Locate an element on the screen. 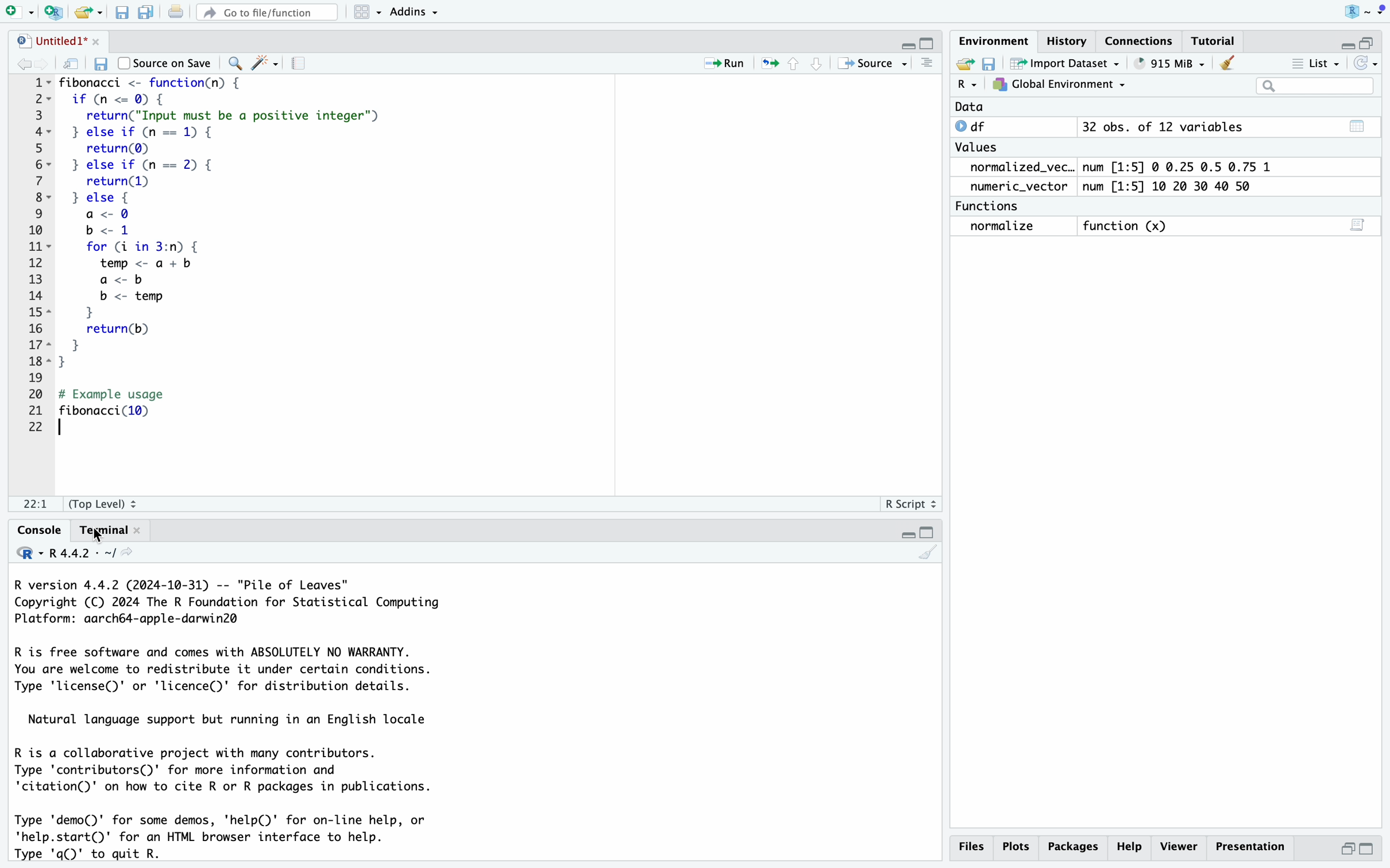 This screenshot has height=868, width=1390. viewer is located at coordinates (1179, 846).